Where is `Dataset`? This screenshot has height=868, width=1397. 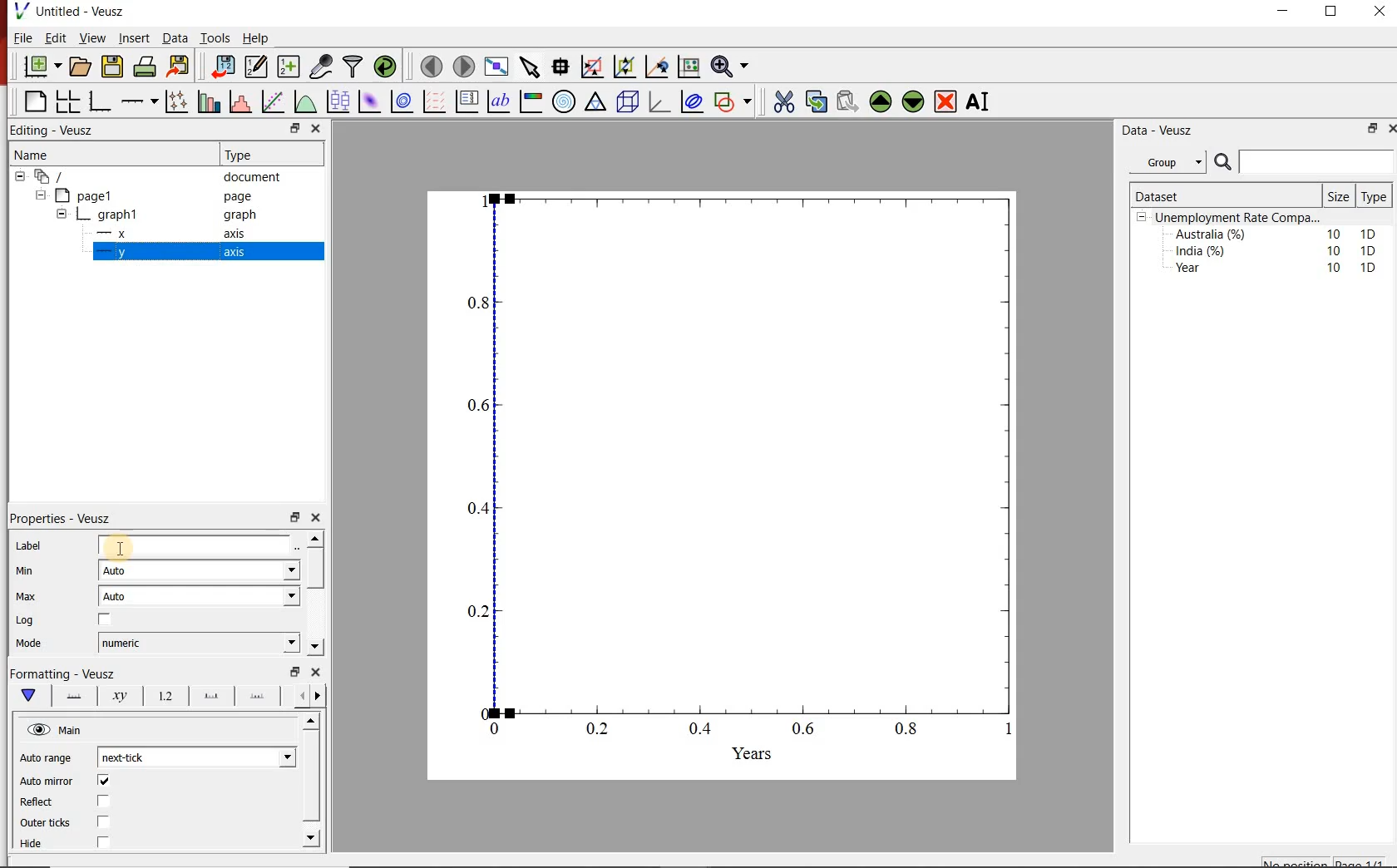 Dataset is located at coordinates (1196, 196).